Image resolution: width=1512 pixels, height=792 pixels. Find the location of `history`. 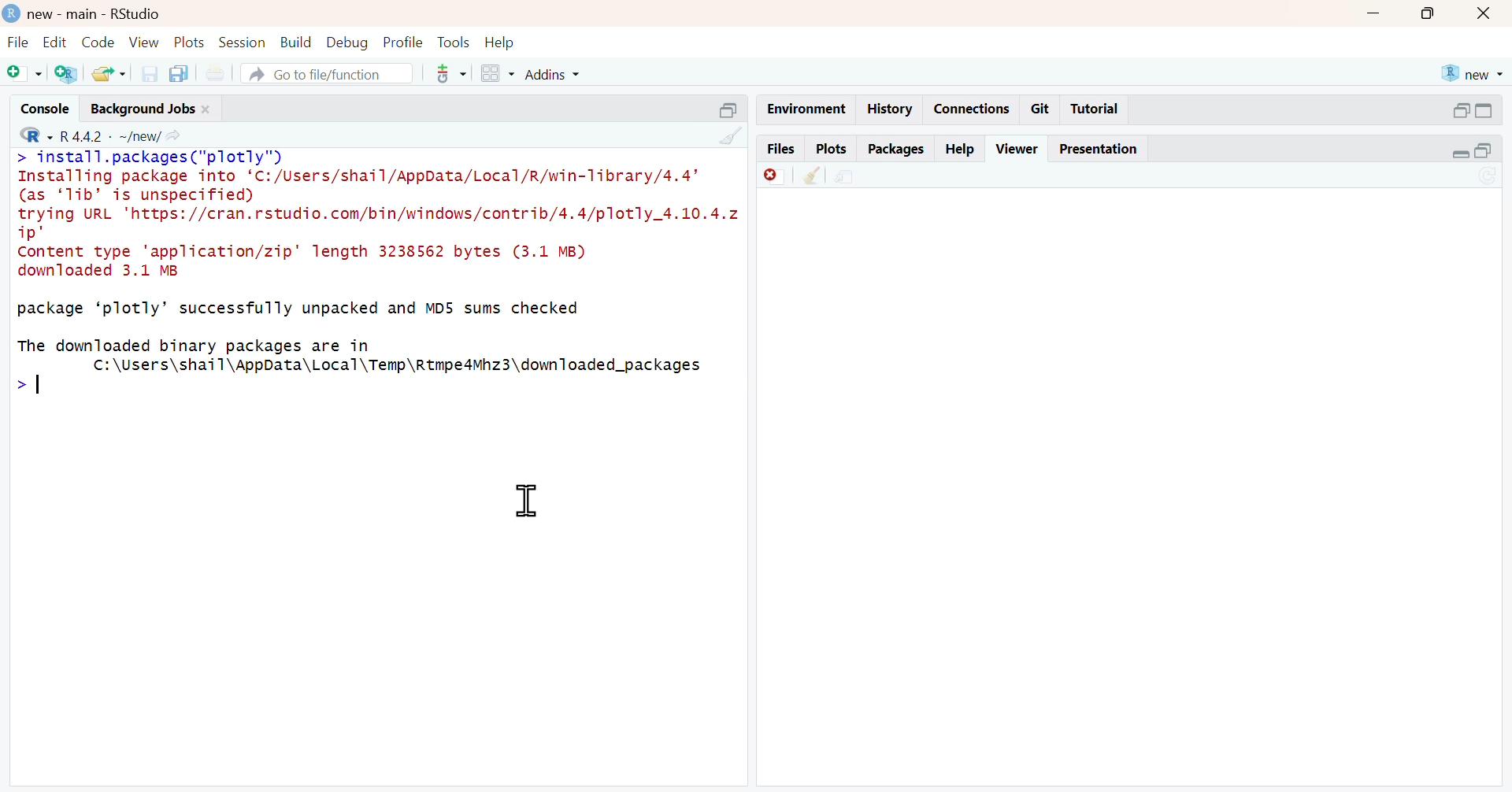

history is located at coordinates (888, 109).